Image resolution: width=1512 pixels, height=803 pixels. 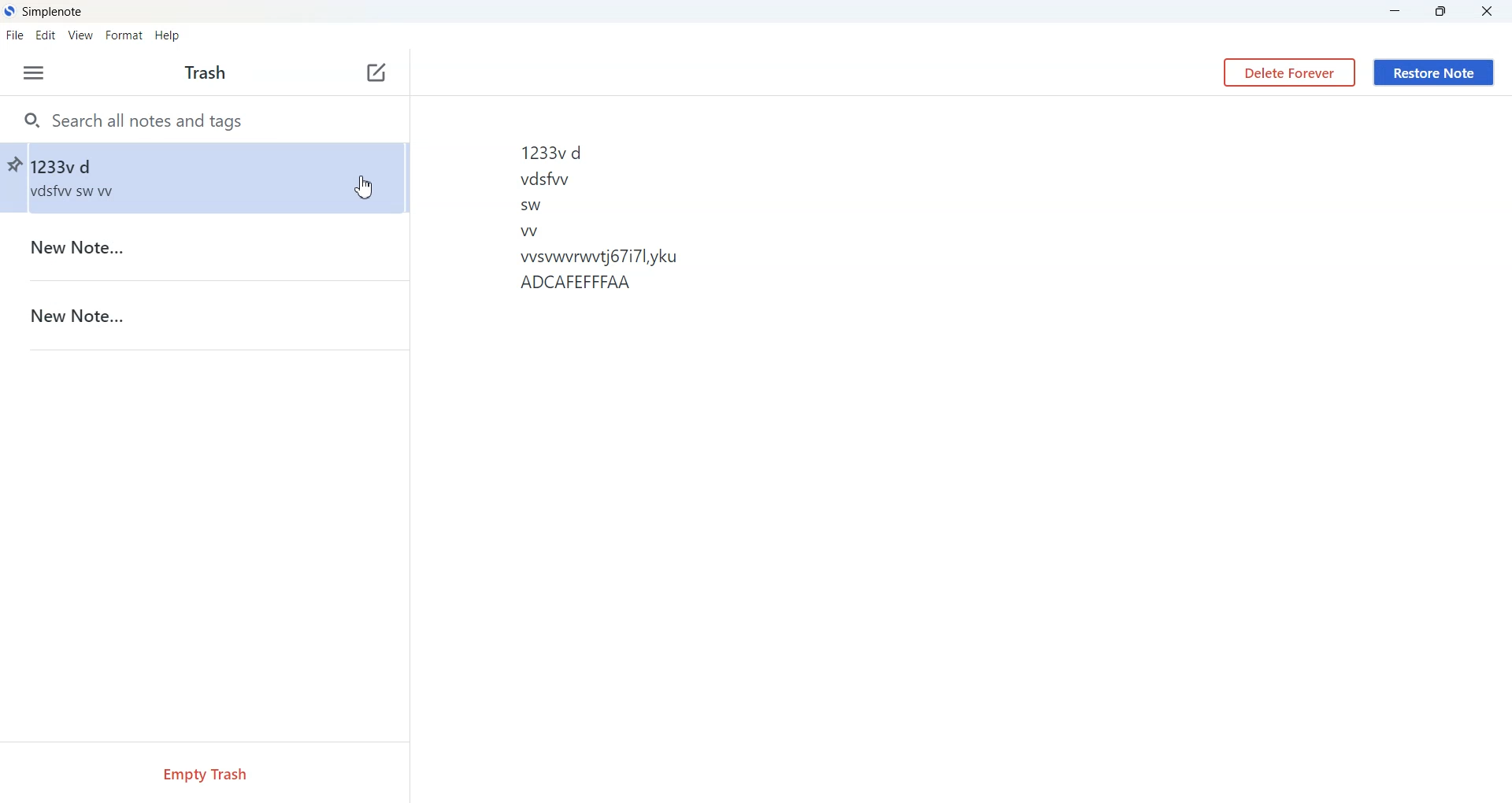 I want to click on 1233vd, so click(x=560, y=154).